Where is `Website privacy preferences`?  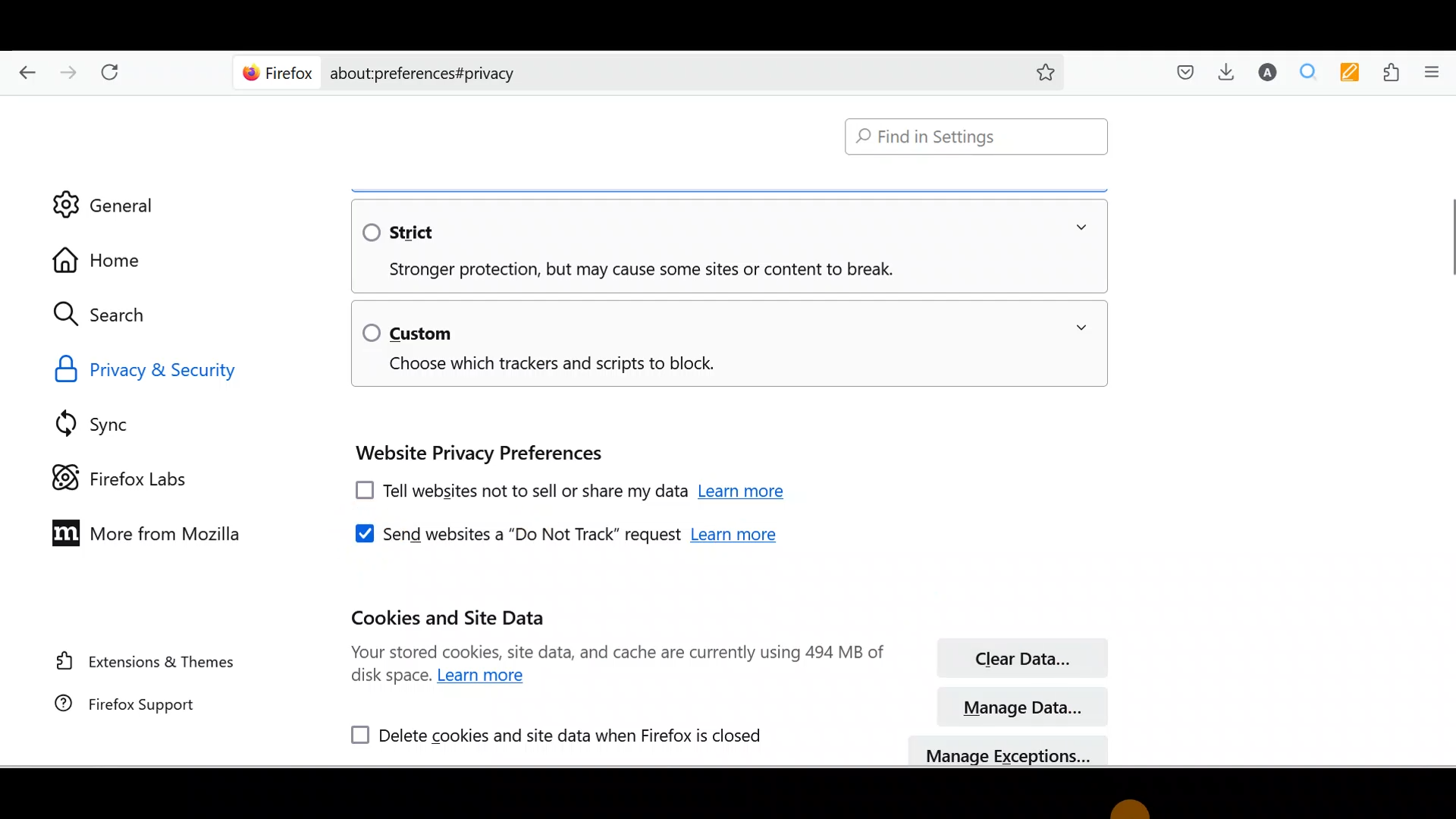 Website privacy preferences is located at coordinates (475, 453).